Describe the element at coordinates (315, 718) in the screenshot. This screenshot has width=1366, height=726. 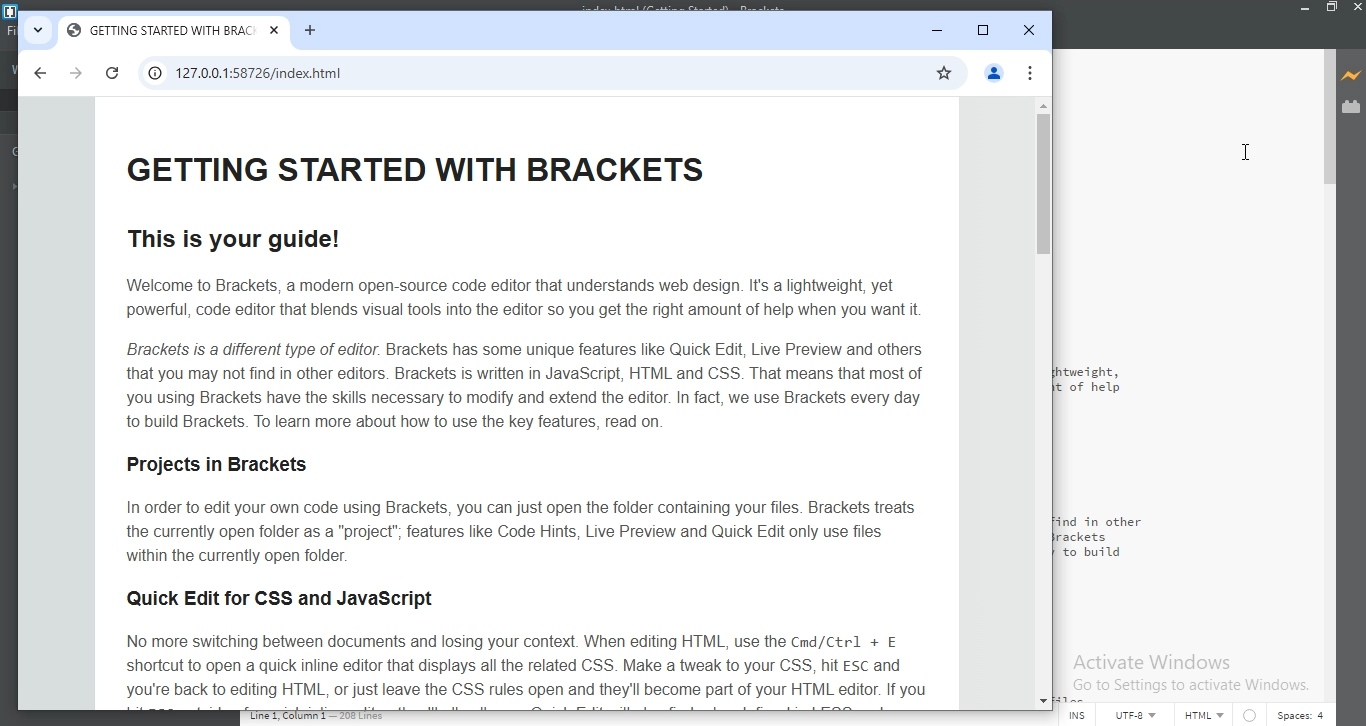
I see `line code data` at that location.